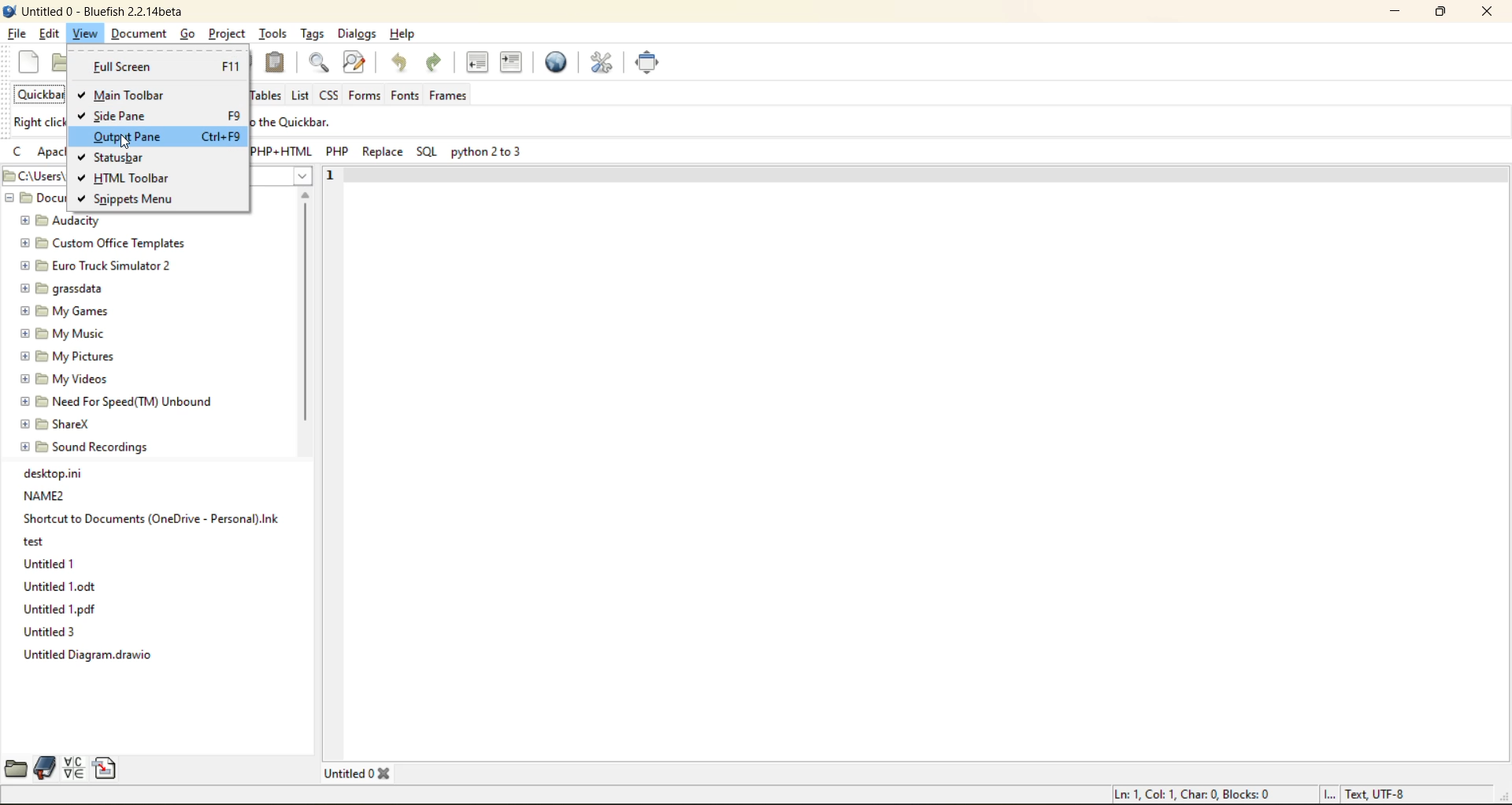 This screenshot has width=1512, height=805. I want to click on file name and app name, so click(98, 11).